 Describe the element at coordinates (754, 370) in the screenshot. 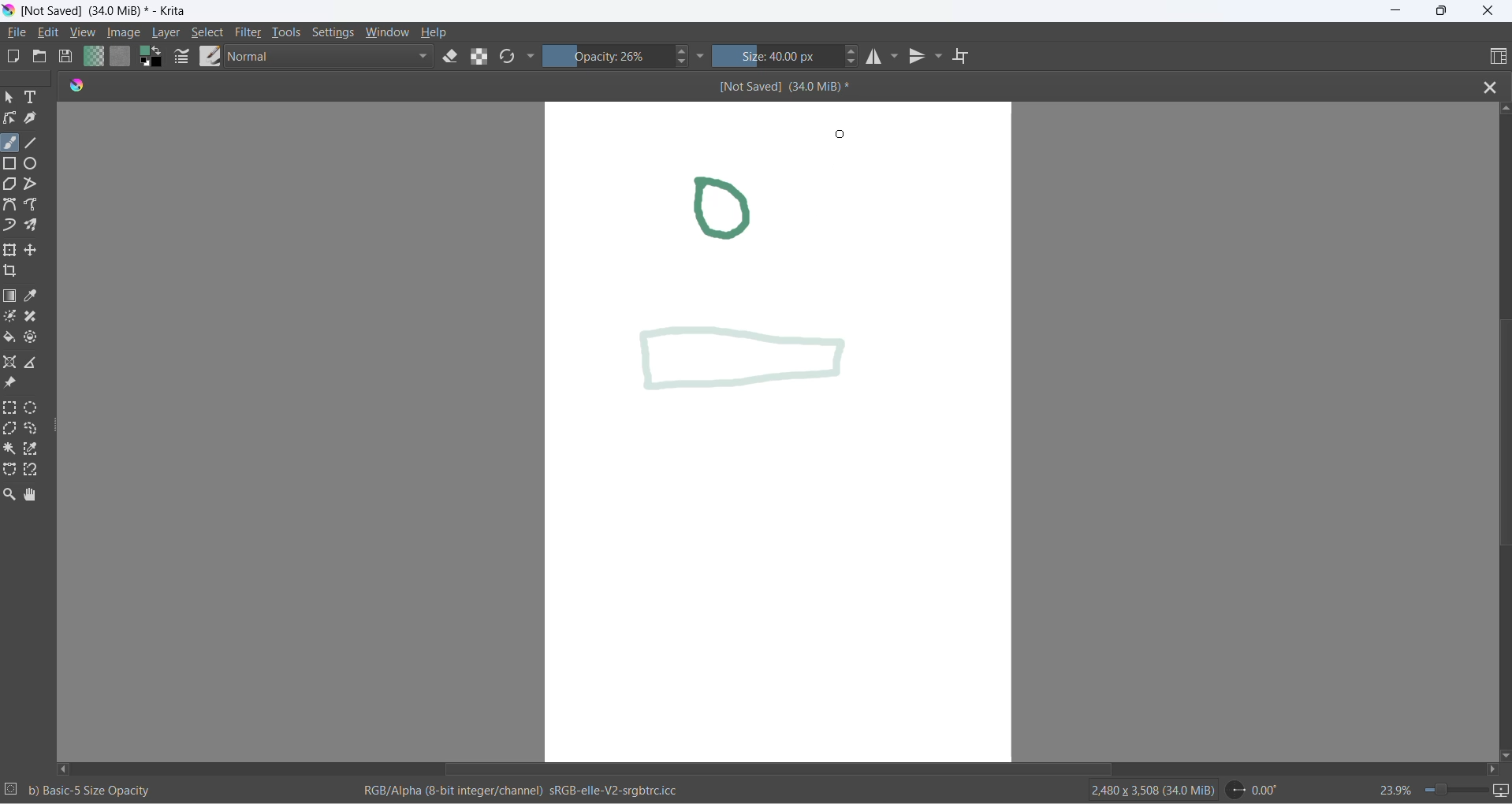

I see `new opacity` at that location.